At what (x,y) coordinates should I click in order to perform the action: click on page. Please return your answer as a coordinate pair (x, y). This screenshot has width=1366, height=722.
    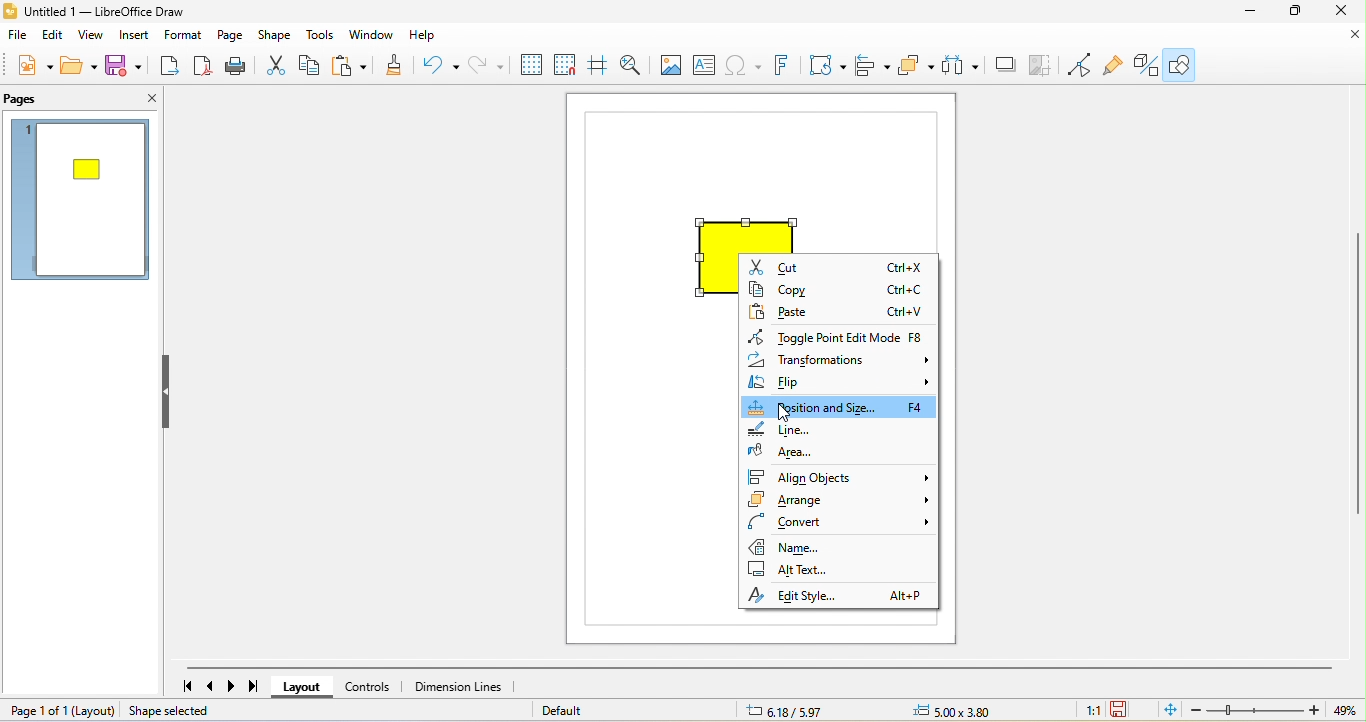
    Looking at the image, I should click on (233, 37).